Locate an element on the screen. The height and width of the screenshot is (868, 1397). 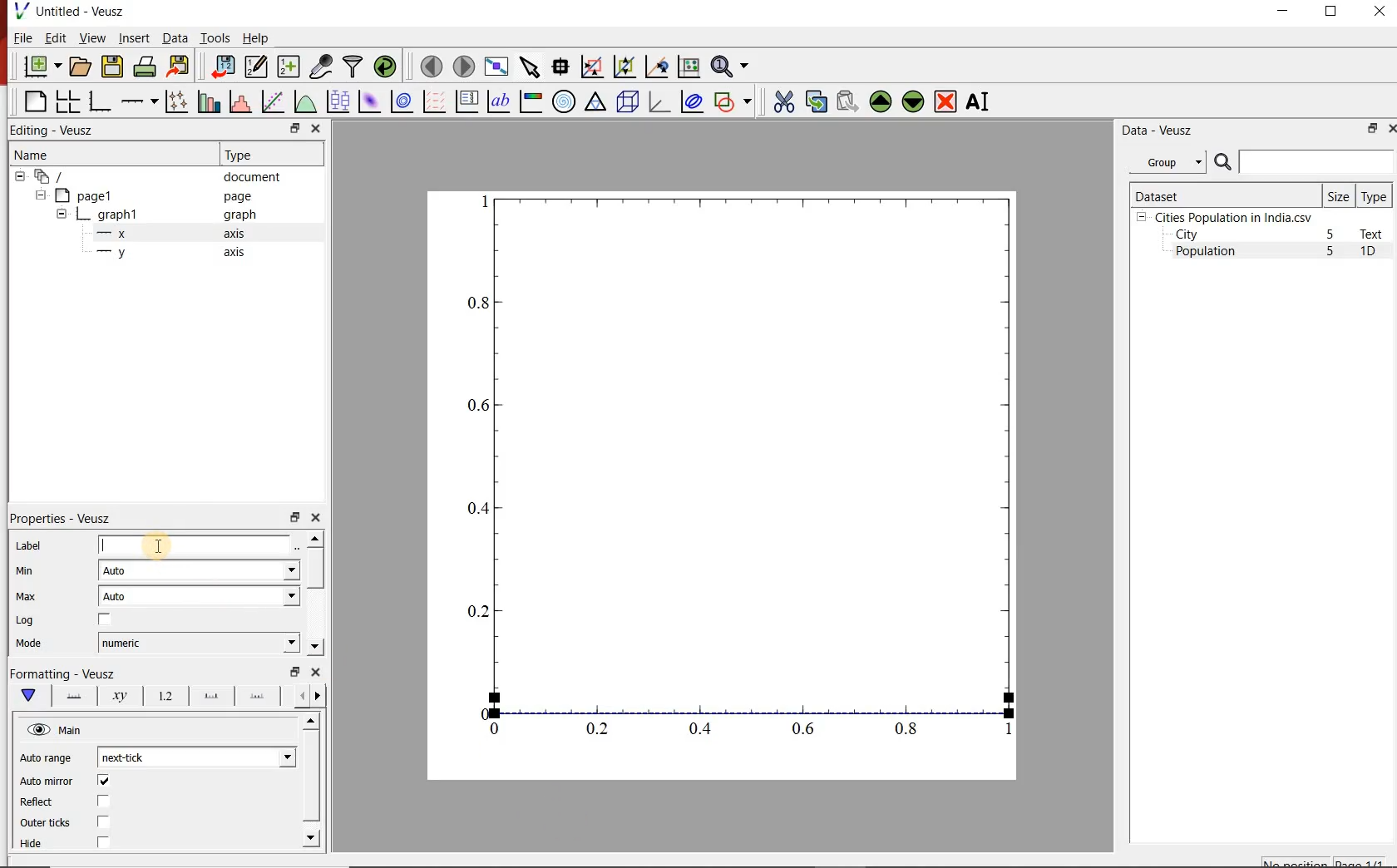
Editing - Veusz is located at coordinates (61, 130).